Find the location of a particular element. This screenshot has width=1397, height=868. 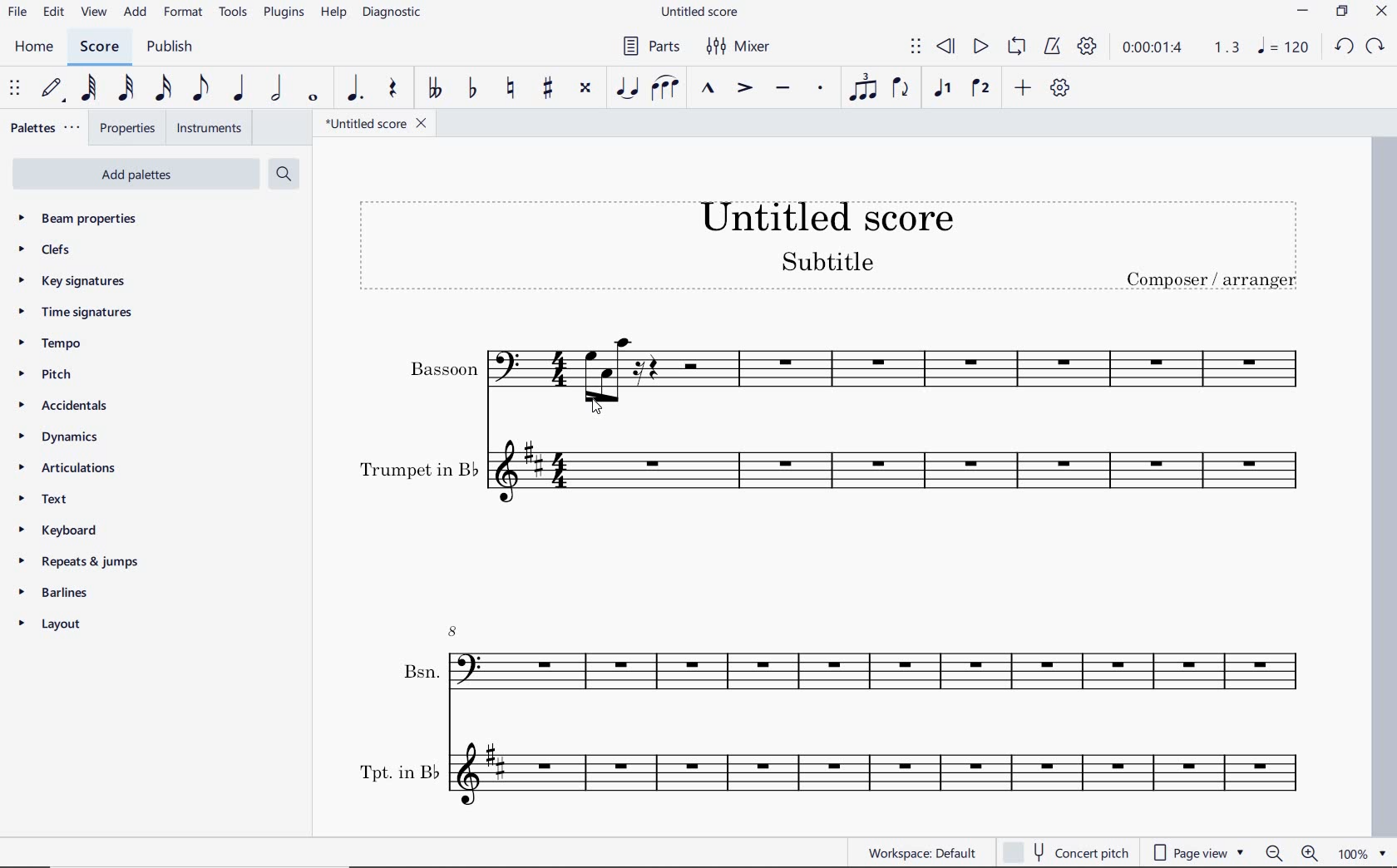

augmentation dot is located at coordinates (355, 87).